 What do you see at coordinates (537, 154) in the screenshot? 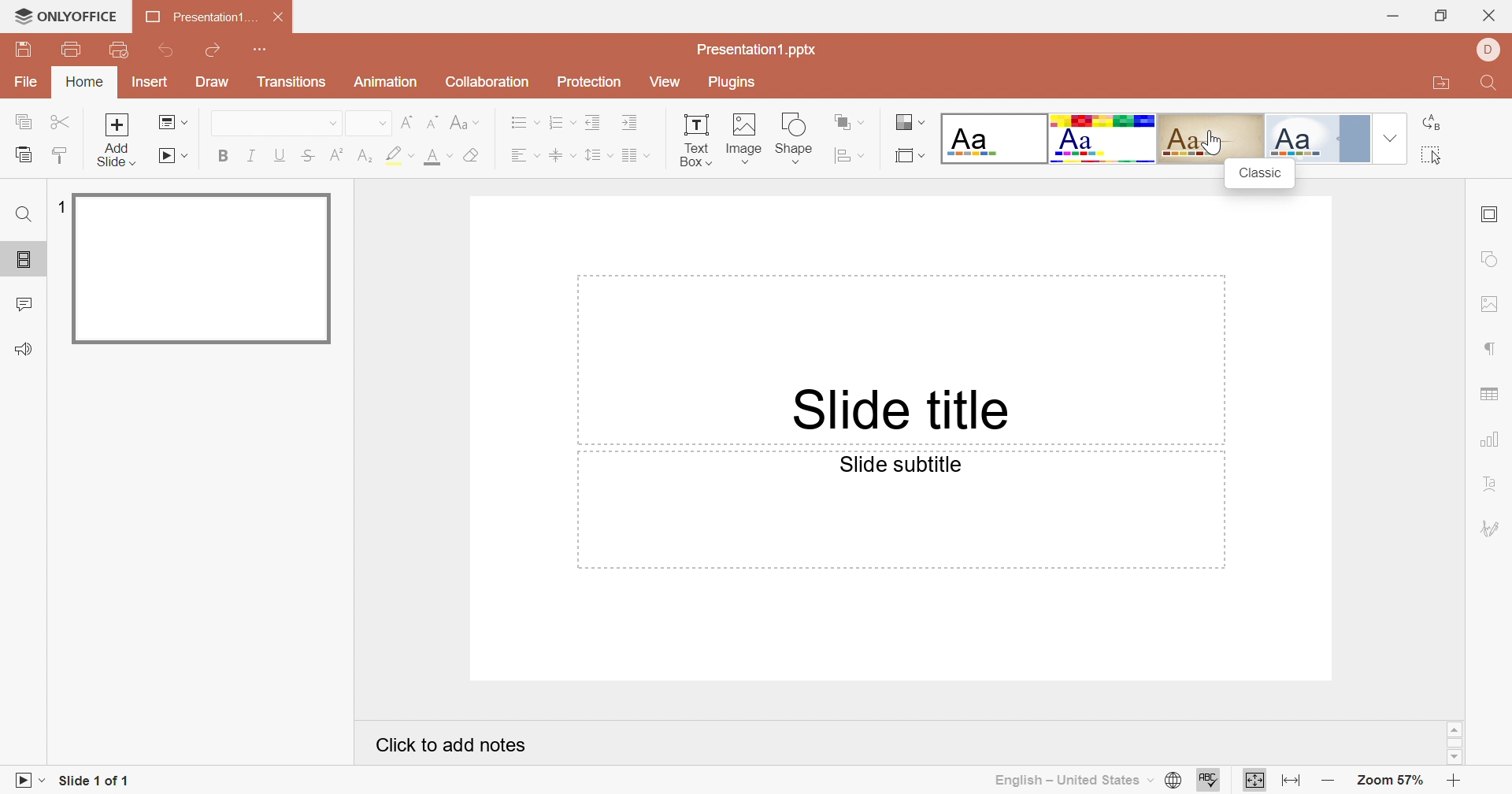
I see `Drop Down` at bounding box center [537, 154].